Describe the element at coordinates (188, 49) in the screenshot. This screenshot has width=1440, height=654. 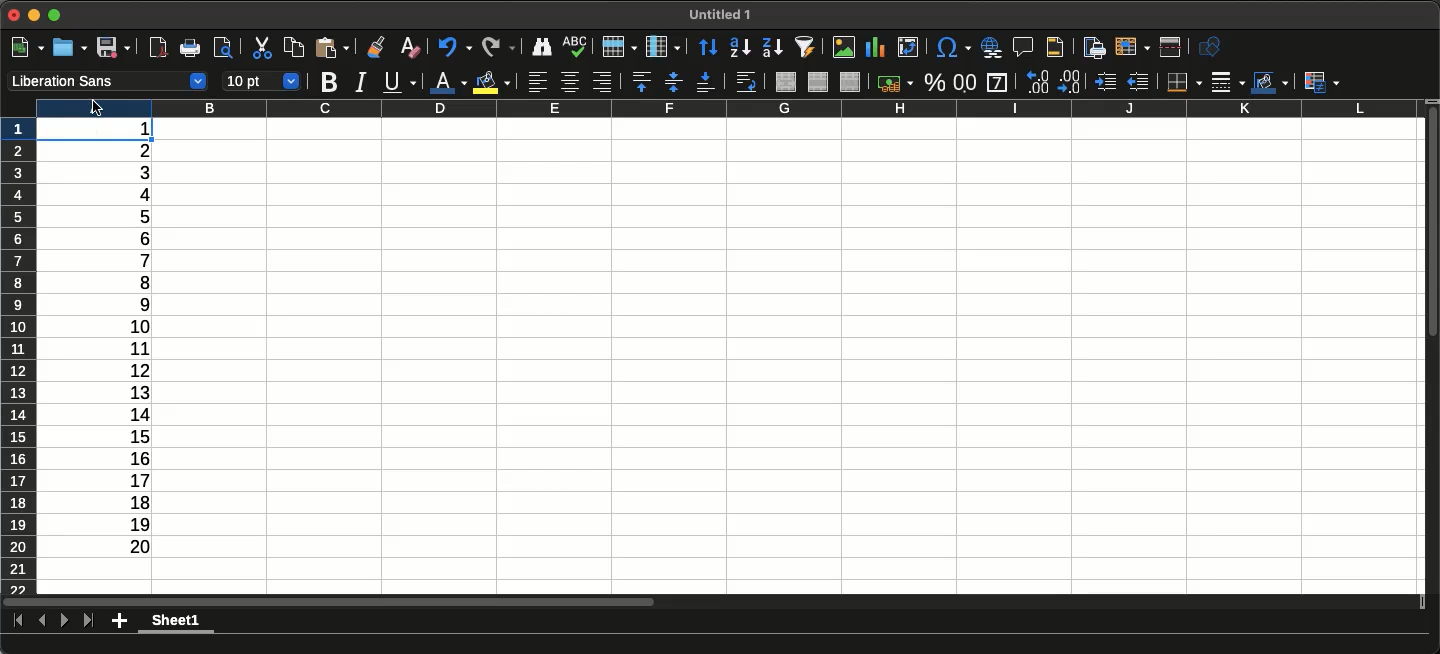
I see `Print` at that location.